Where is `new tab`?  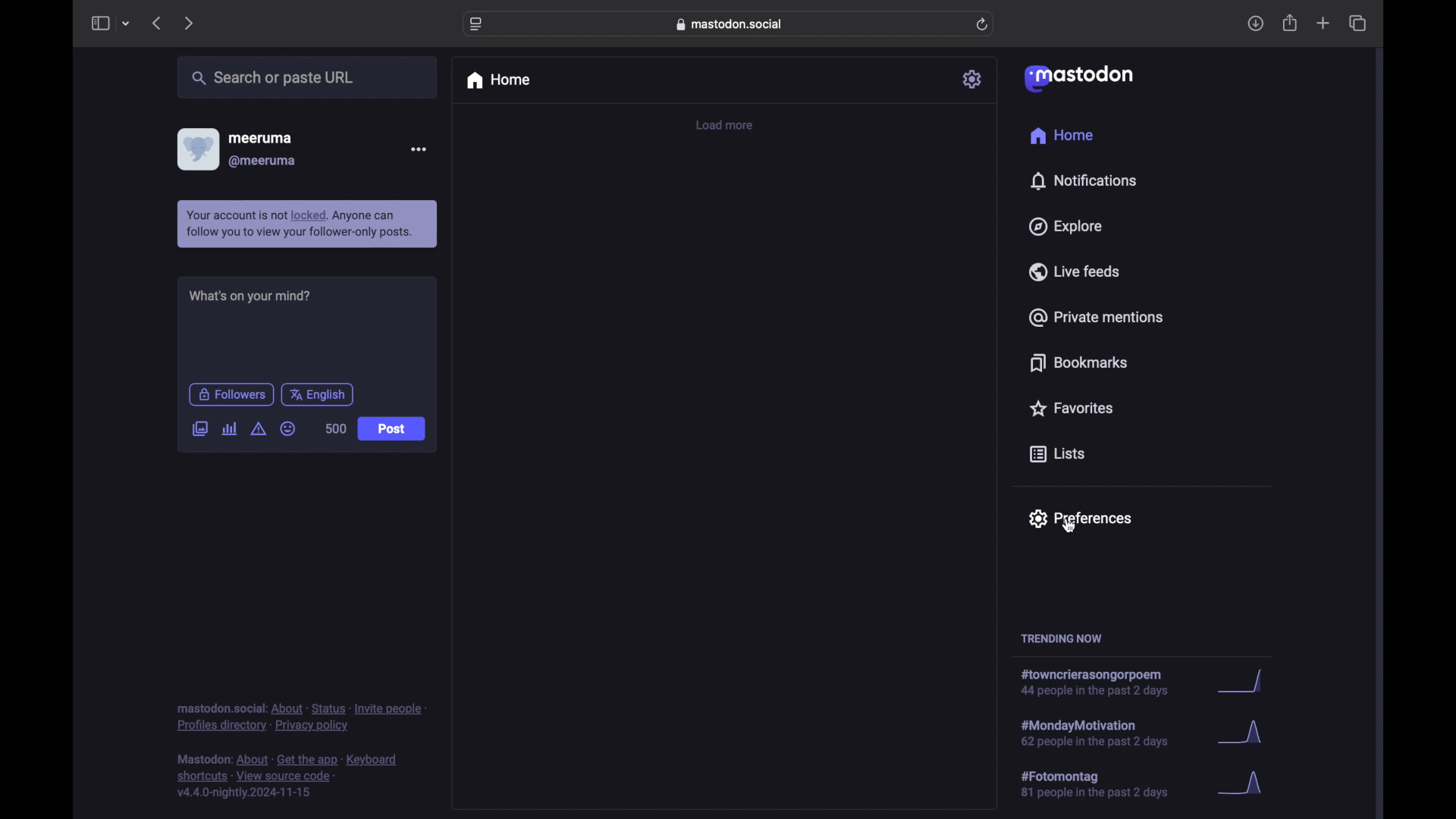 new tab is located at coordinates (1323, 24).